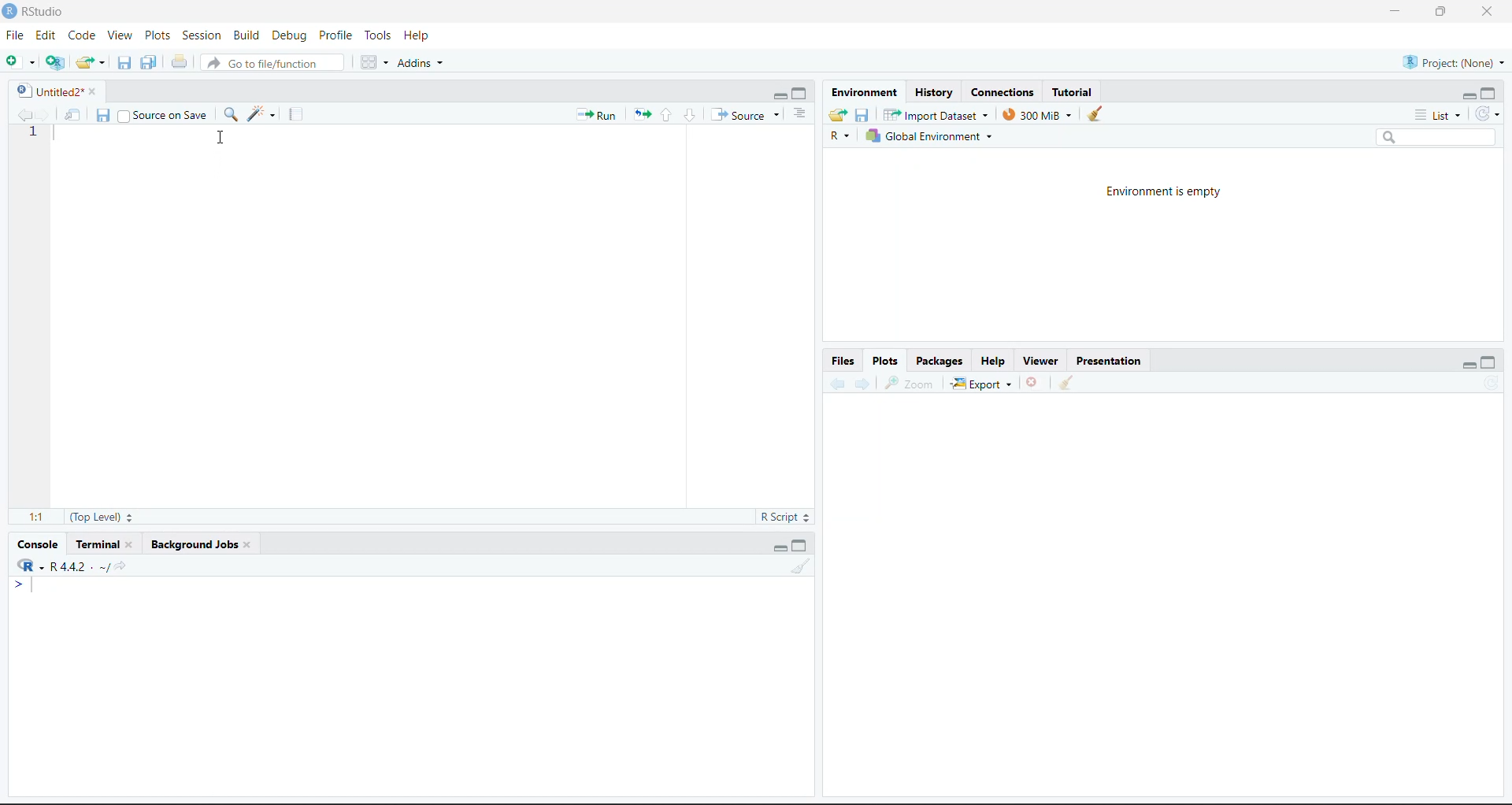 This screenshot has height=805, width=1512. I want to click on R Script , so click(779, 517).